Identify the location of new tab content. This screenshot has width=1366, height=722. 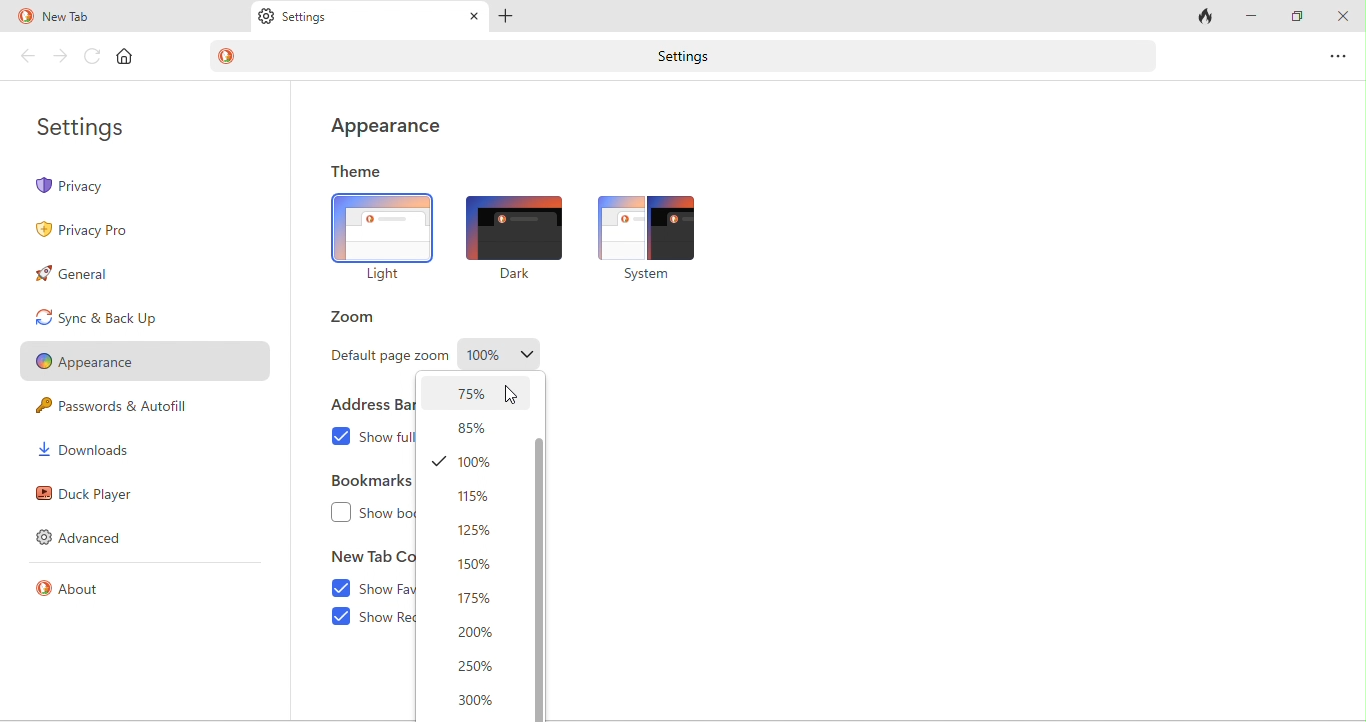
(366, 555).